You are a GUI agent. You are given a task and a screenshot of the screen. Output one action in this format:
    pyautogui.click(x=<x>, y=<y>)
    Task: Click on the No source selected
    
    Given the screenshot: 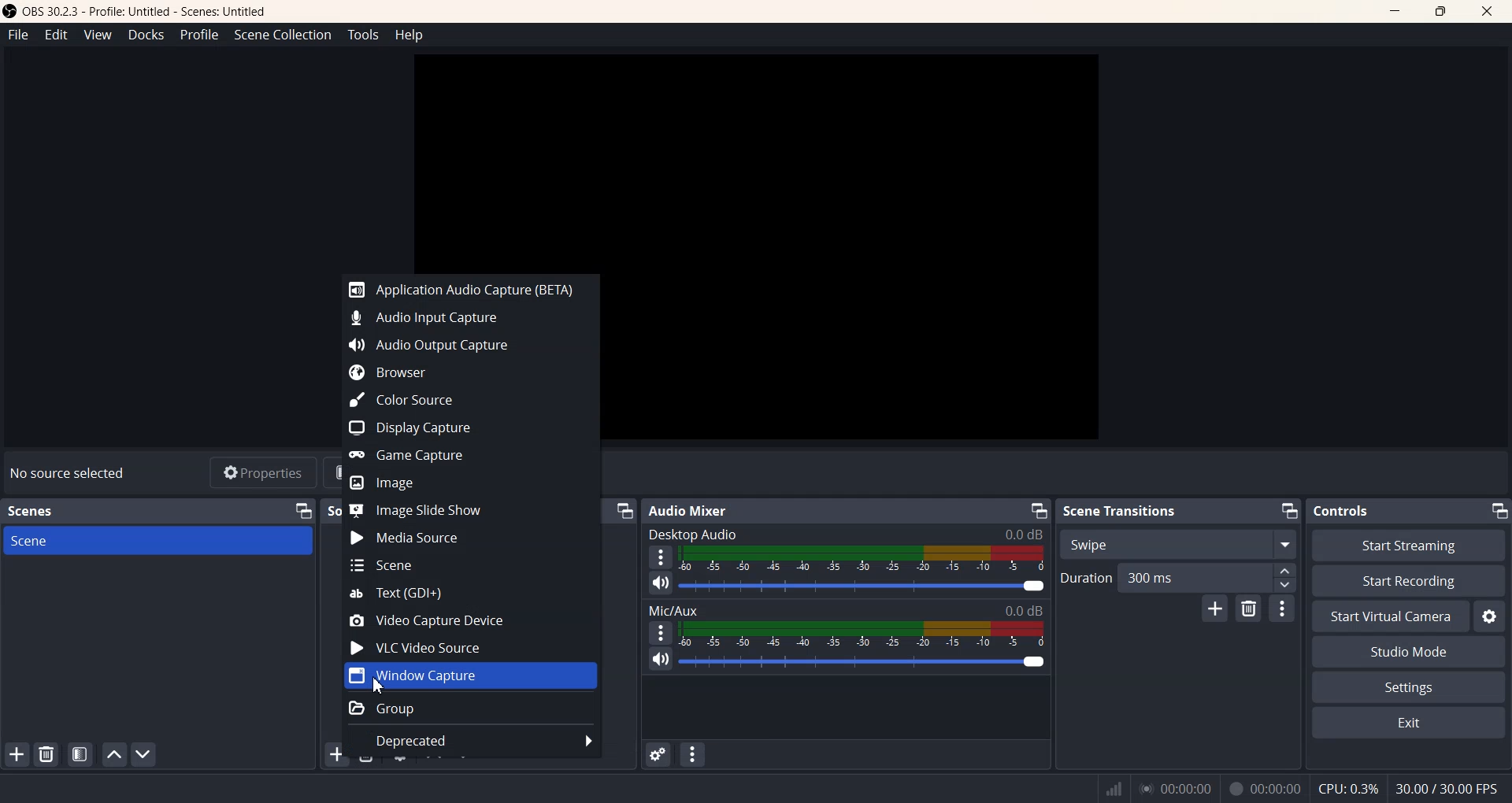 What is the action you would take?
    pyautogui.click(x=72, y=472)
    